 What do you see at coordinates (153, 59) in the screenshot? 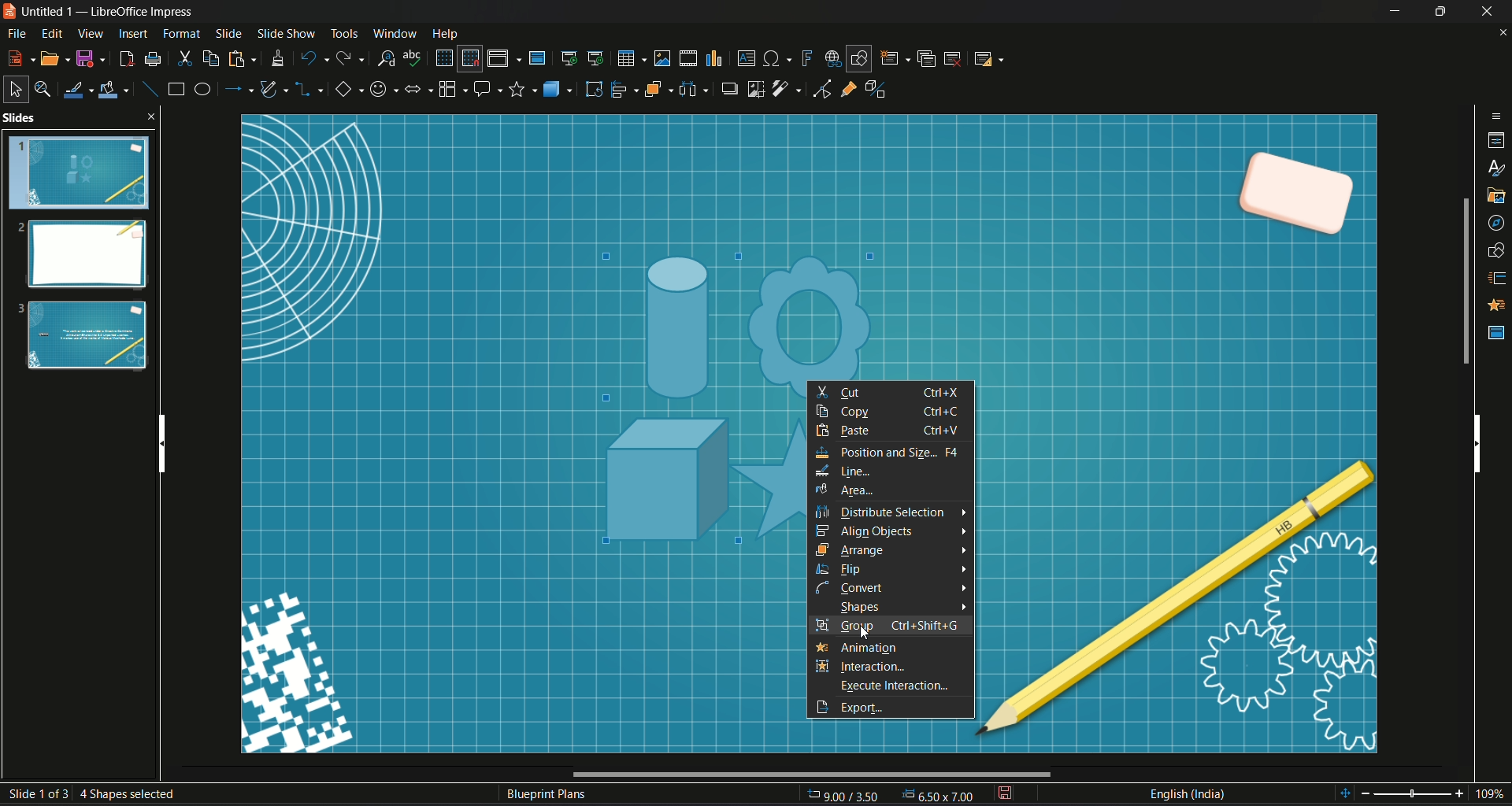
I see `print` at bounding box center [153, 59].